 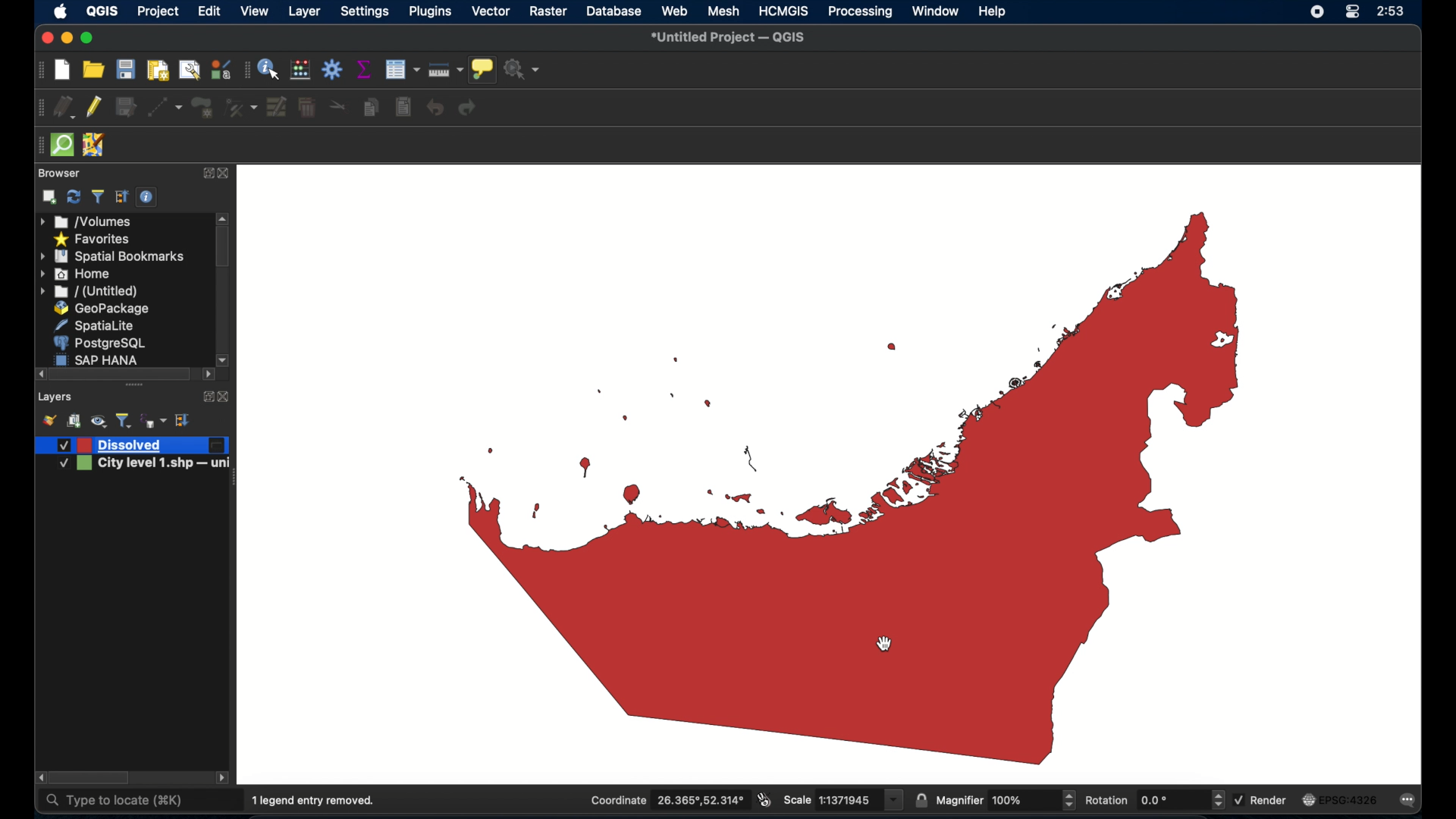 I want to click on rotation, so click(x=1153, y=800).